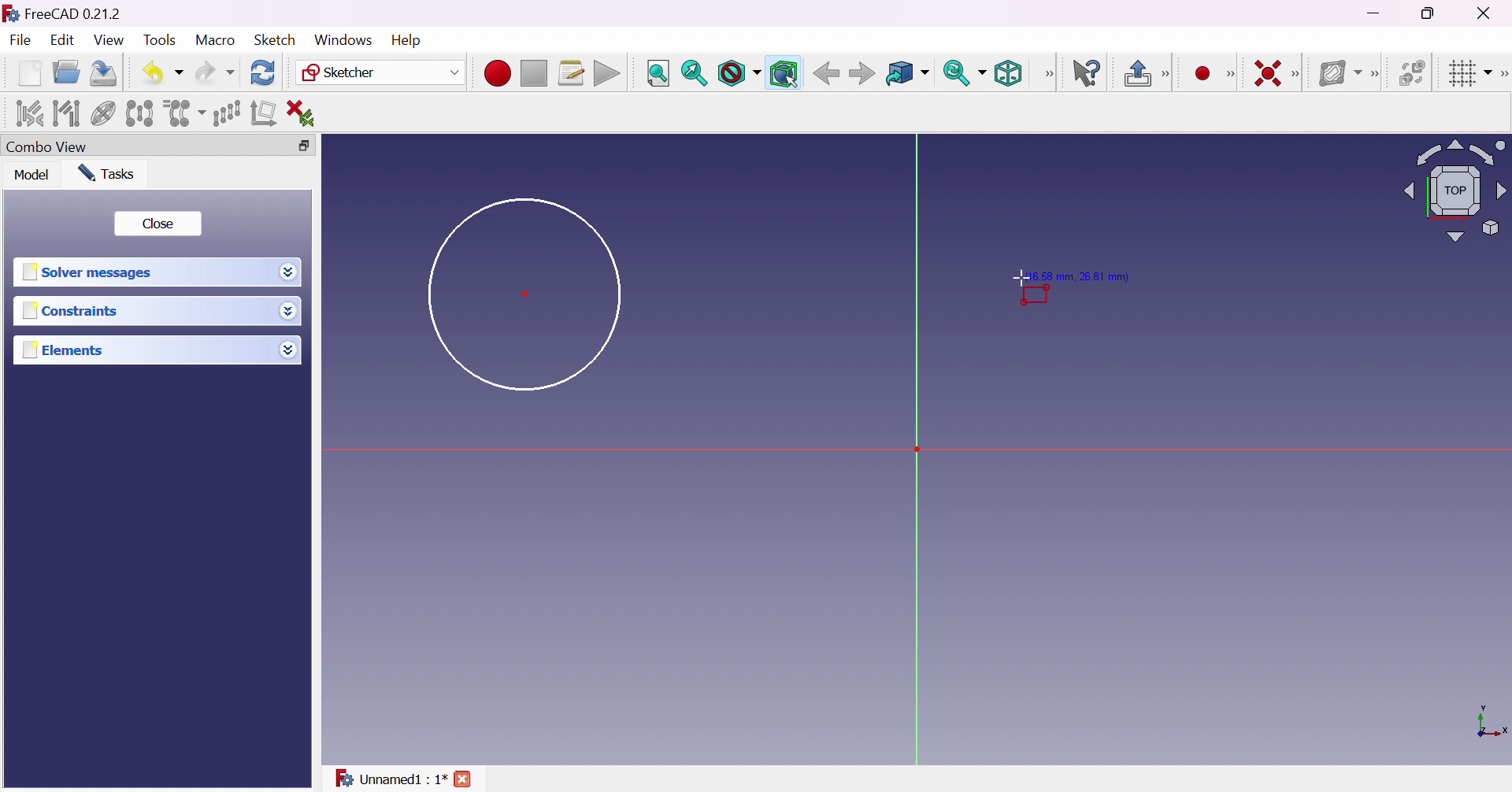 Image resolution: width=1512 pixels, height=792 pixels. I want to click on Back, so click(826, 72).